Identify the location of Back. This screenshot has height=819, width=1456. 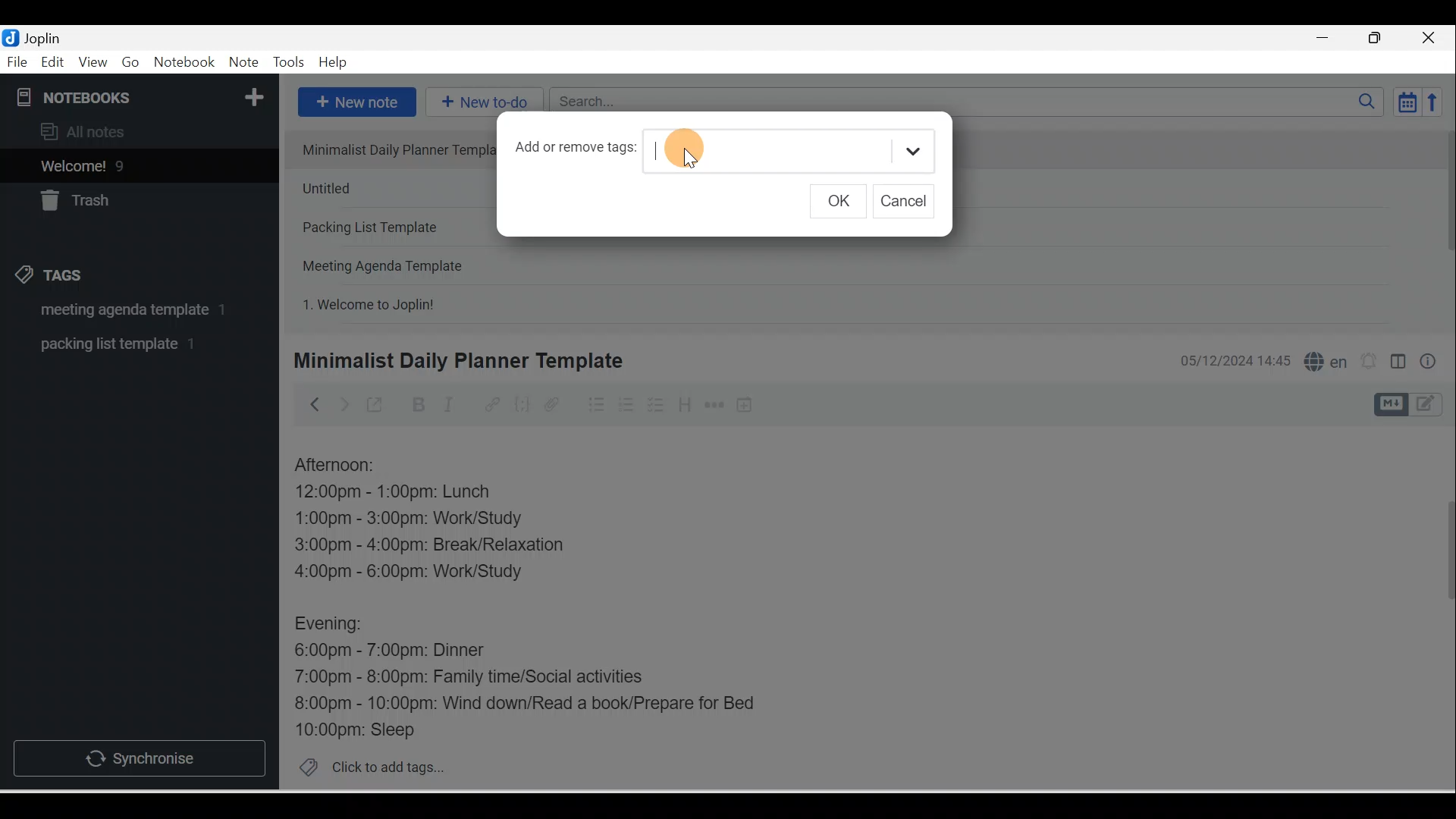
(308, 404).